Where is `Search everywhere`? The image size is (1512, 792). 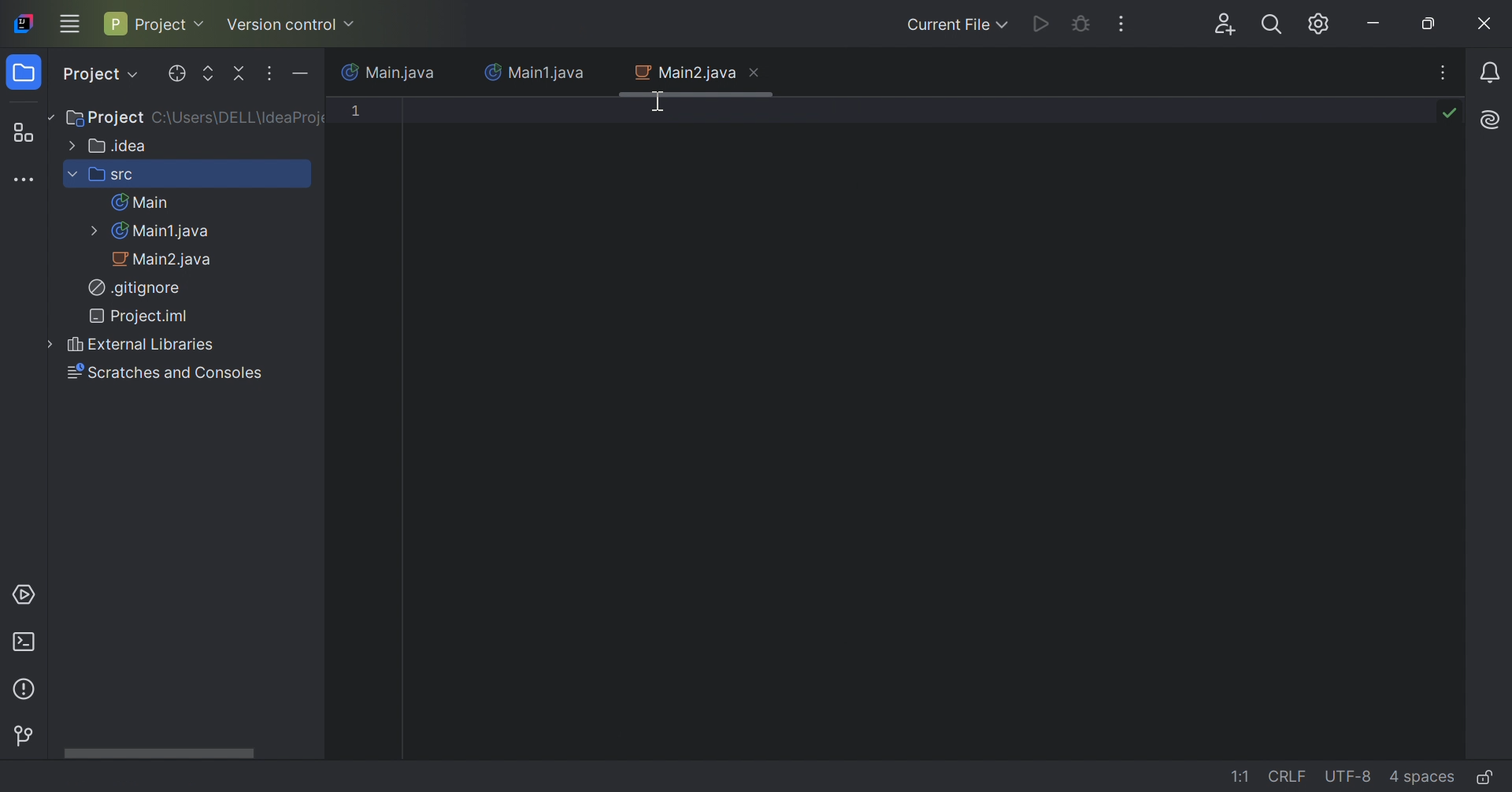
Search everywhere is located at coordinates (1270, 27).